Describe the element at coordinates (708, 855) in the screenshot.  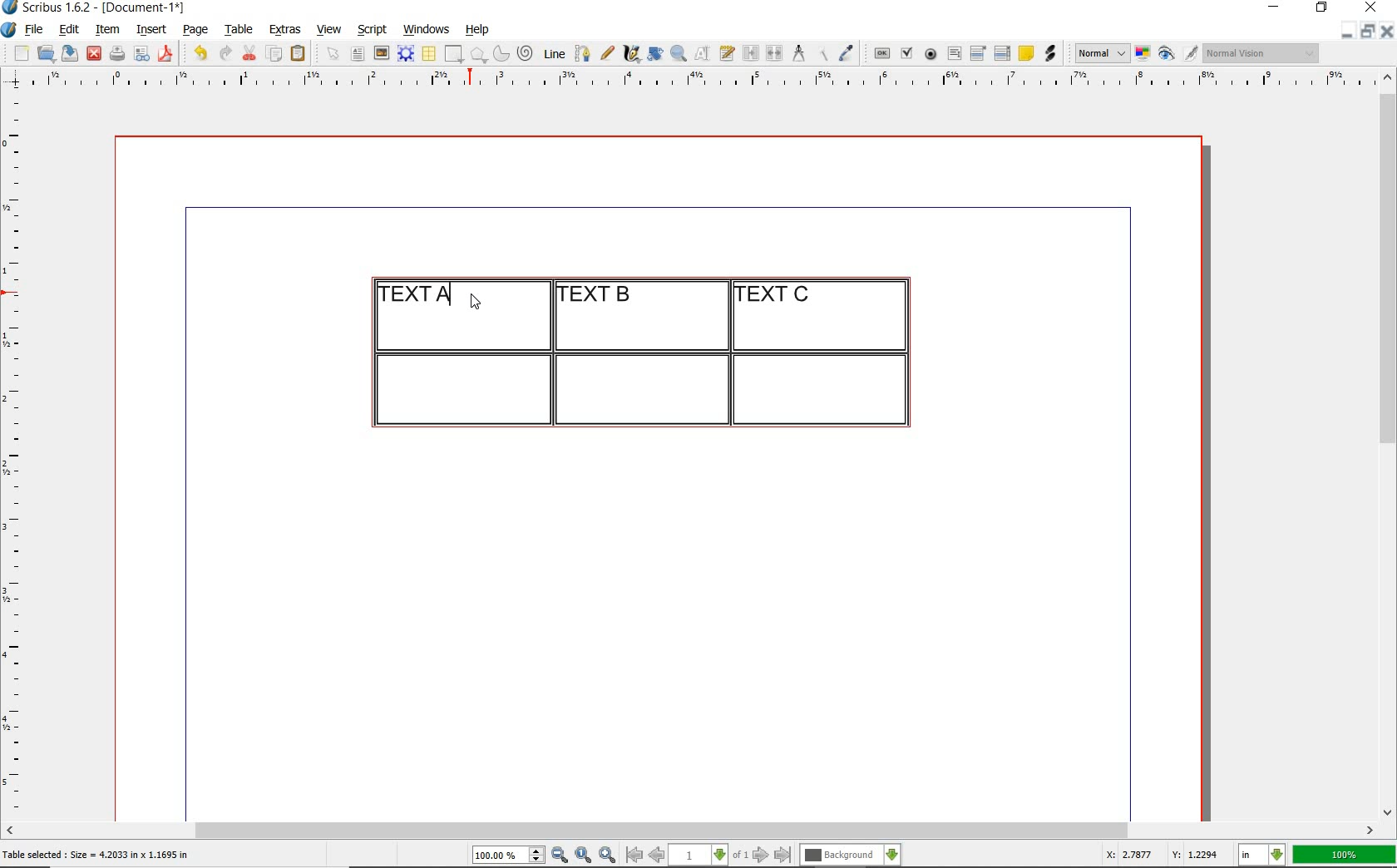
I see `select current page level` at that location.